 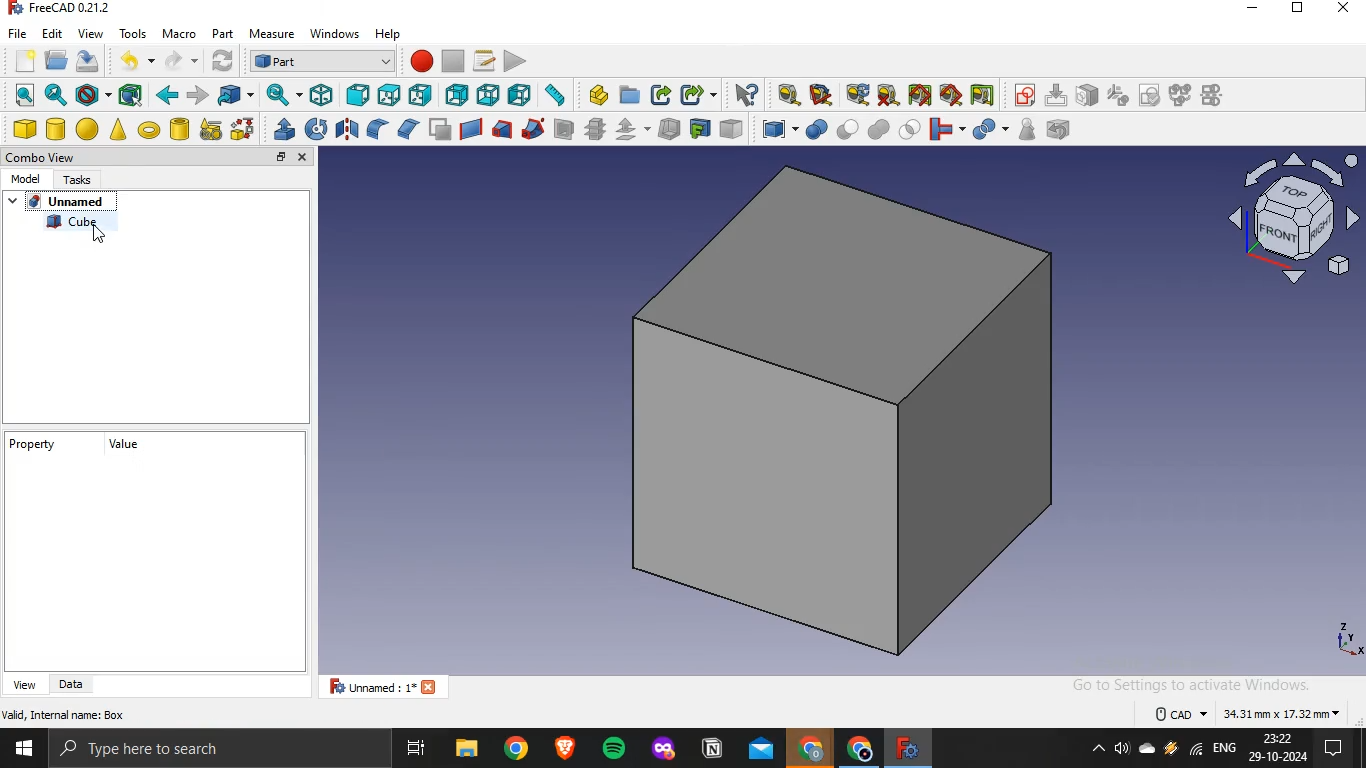 I want to click on thickness, so click(x=670, y=127).